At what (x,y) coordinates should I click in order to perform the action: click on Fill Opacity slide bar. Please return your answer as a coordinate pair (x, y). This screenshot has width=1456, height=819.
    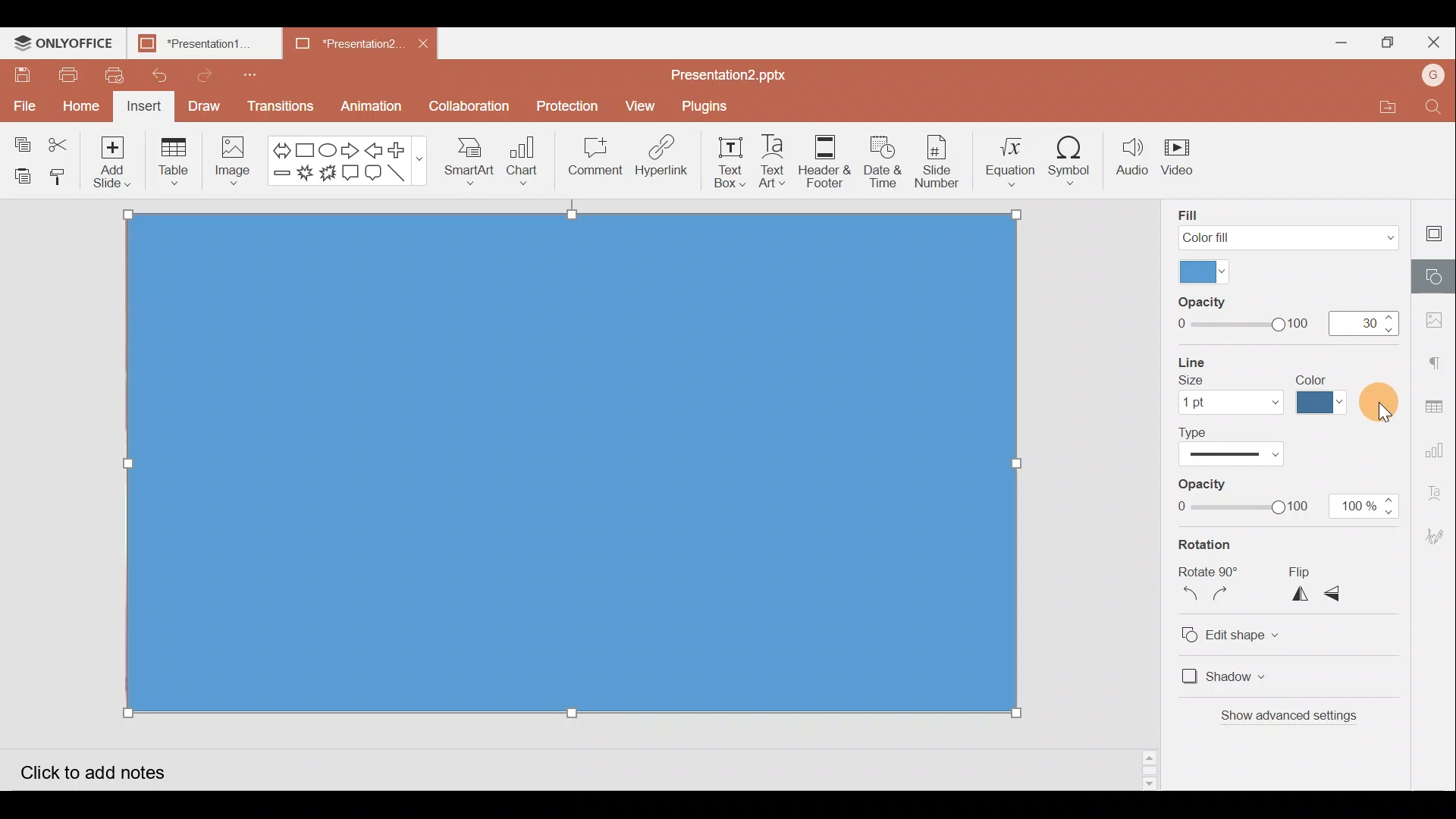
    Looking at the image, I should click on (1241, 315).